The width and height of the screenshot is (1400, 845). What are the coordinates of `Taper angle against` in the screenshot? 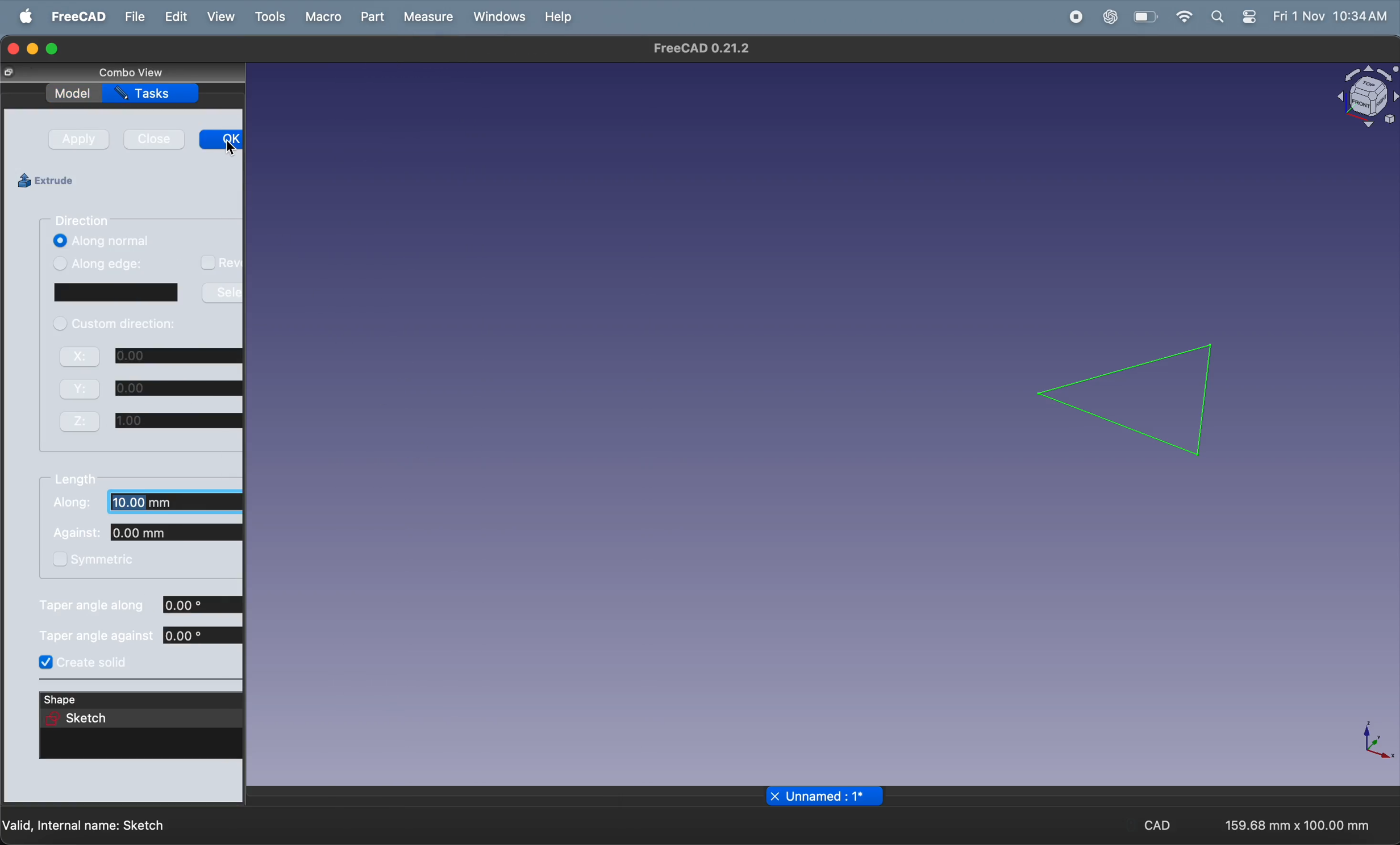 It's located at (97, 637).